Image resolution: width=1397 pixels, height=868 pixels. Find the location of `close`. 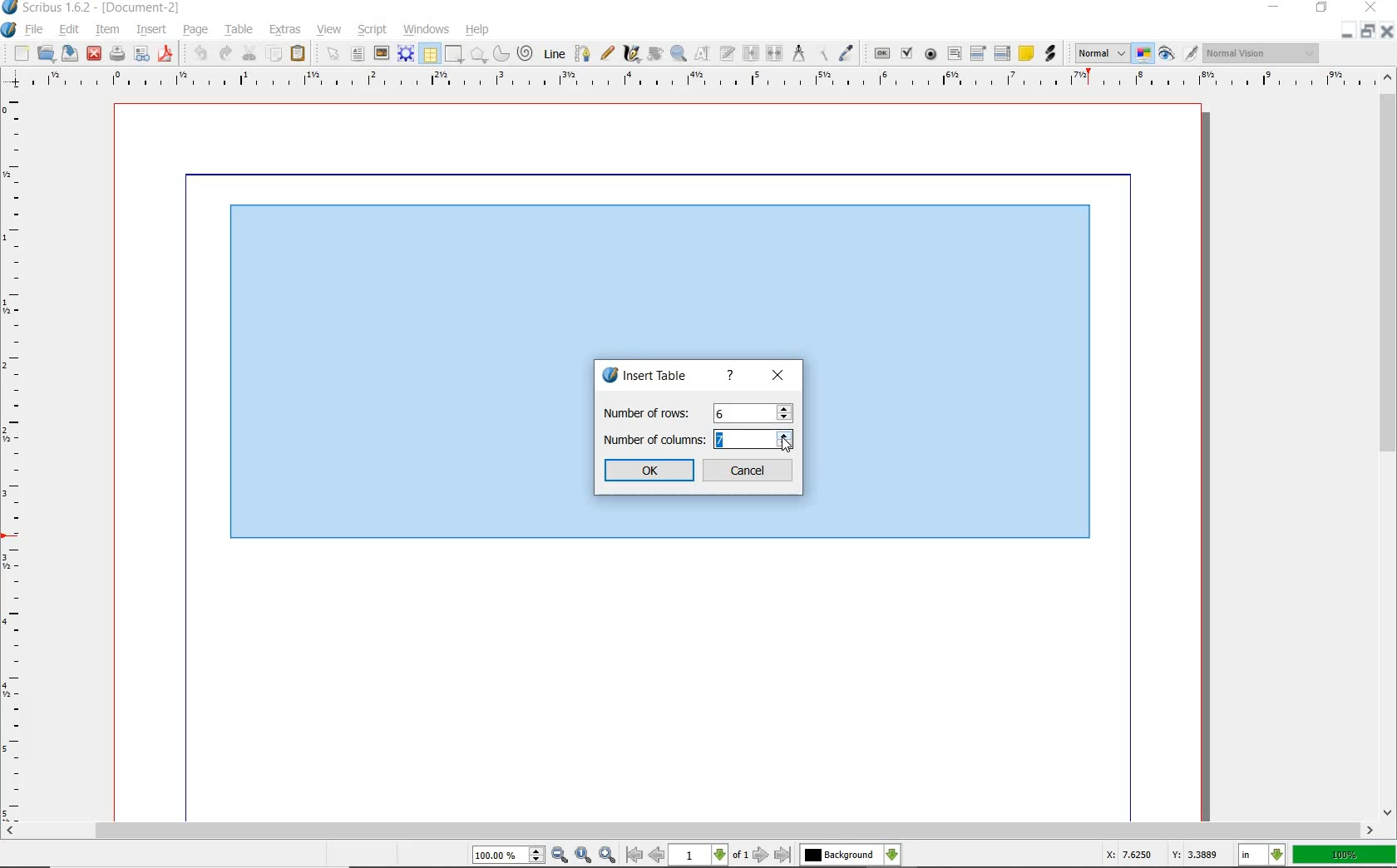

close is located at coordinates (778, 377).